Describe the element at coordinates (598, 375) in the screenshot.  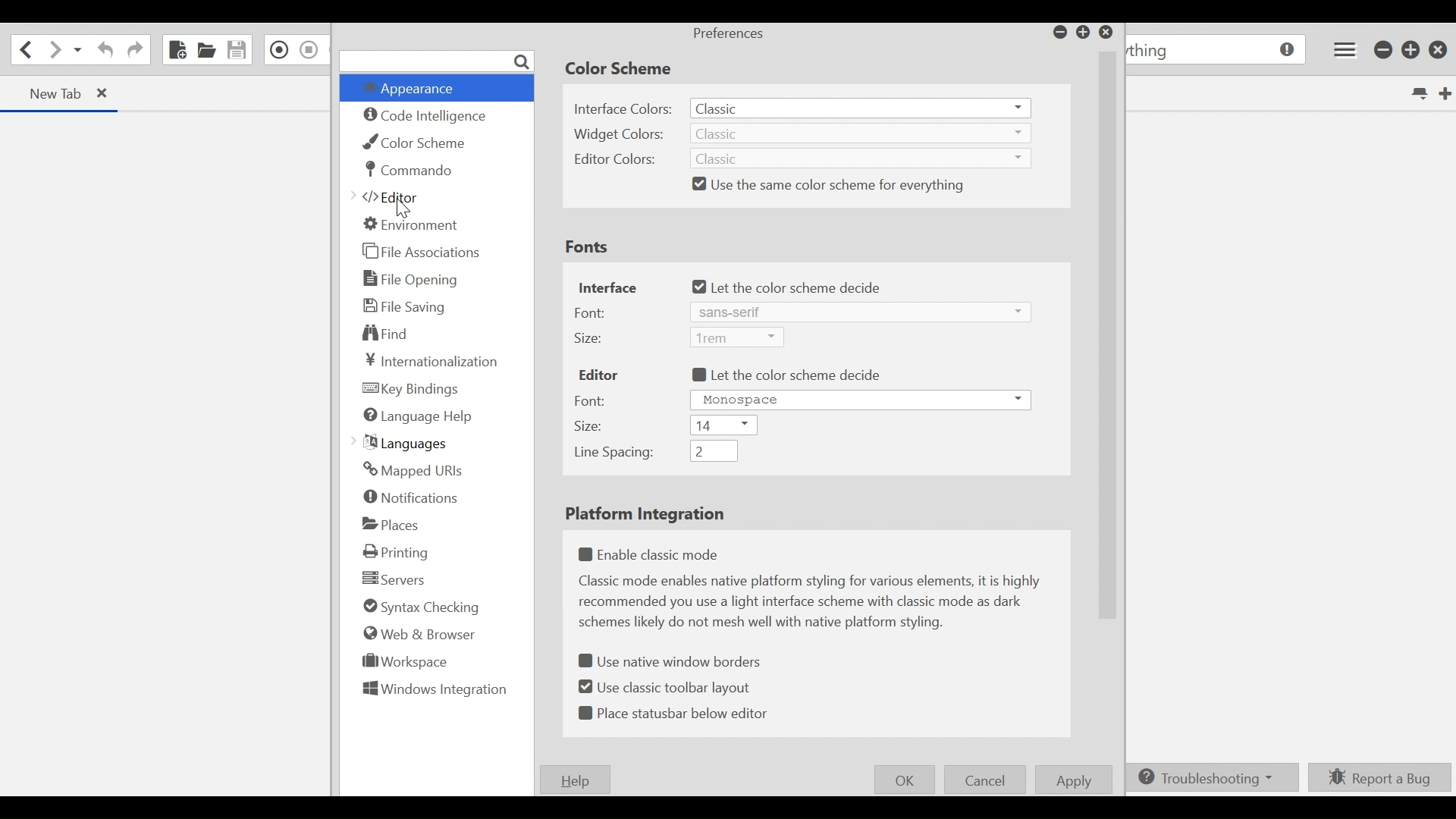
I see `Editor` at that location.